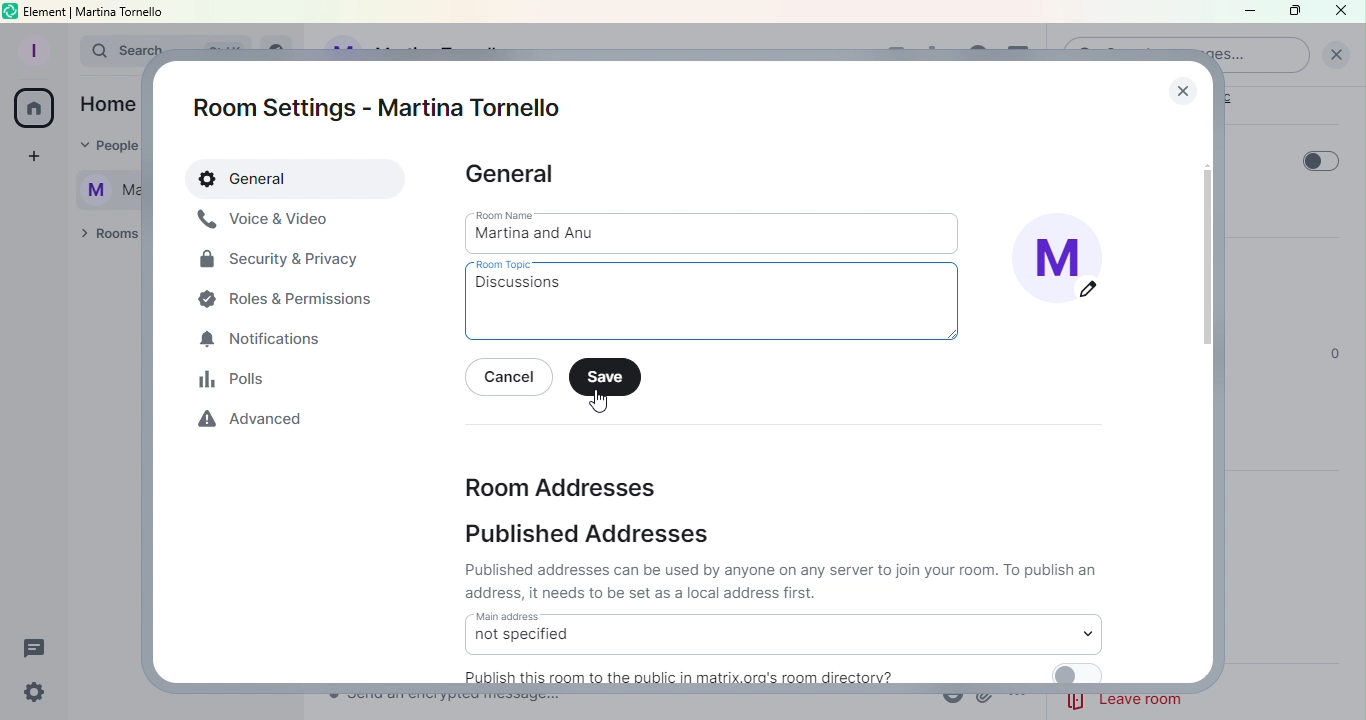  Describe the element at coordinates (610, 378) in the screenshot. I see `Save` at that location.